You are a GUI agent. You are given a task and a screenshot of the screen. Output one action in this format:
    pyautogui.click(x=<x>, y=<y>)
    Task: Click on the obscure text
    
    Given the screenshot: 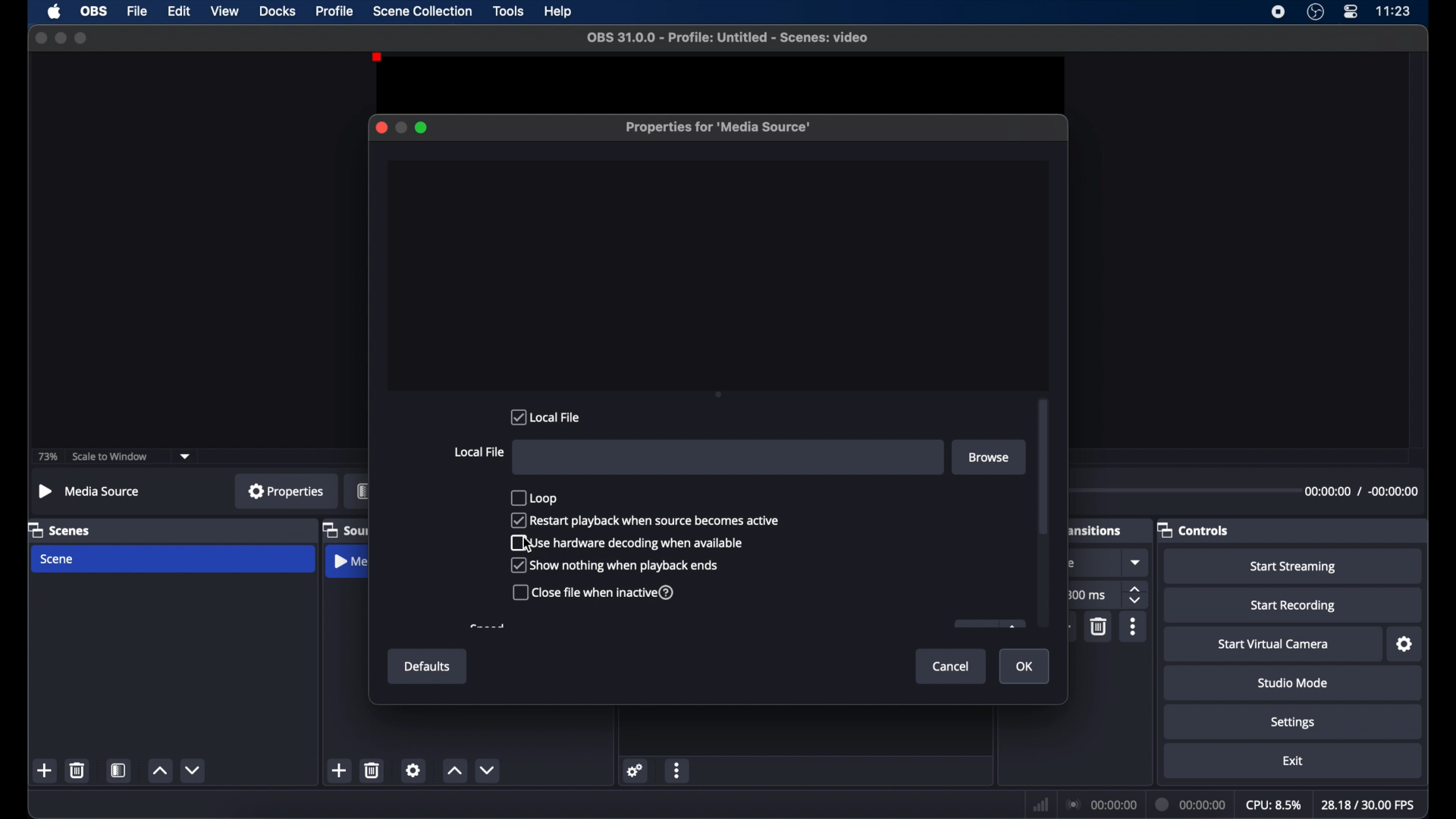 What is the action you would take?
    pyautogui.click(x=487, y=626)
    